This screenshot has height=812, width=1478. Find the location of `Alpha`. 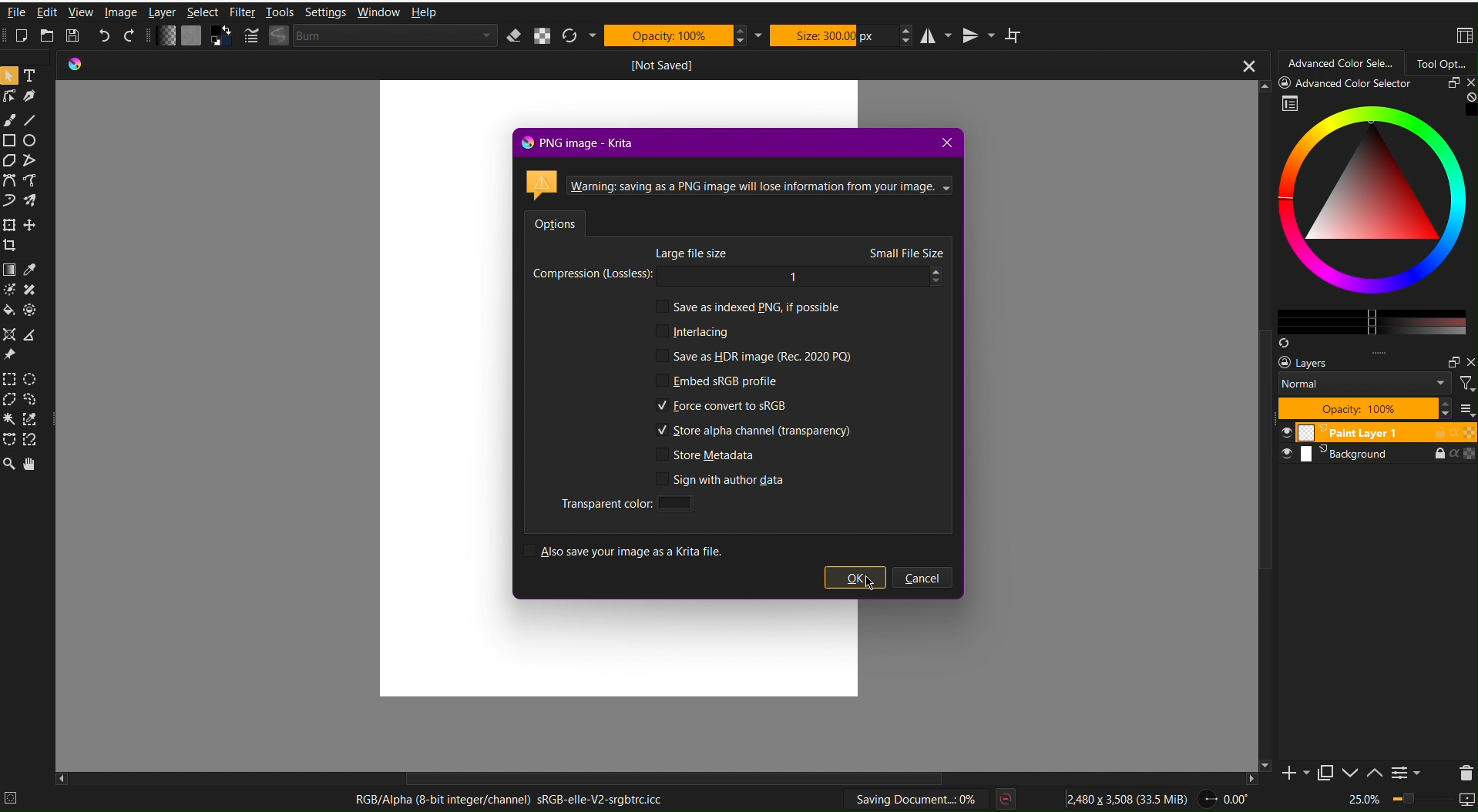

Alpha is located at coordinates (542, 35).